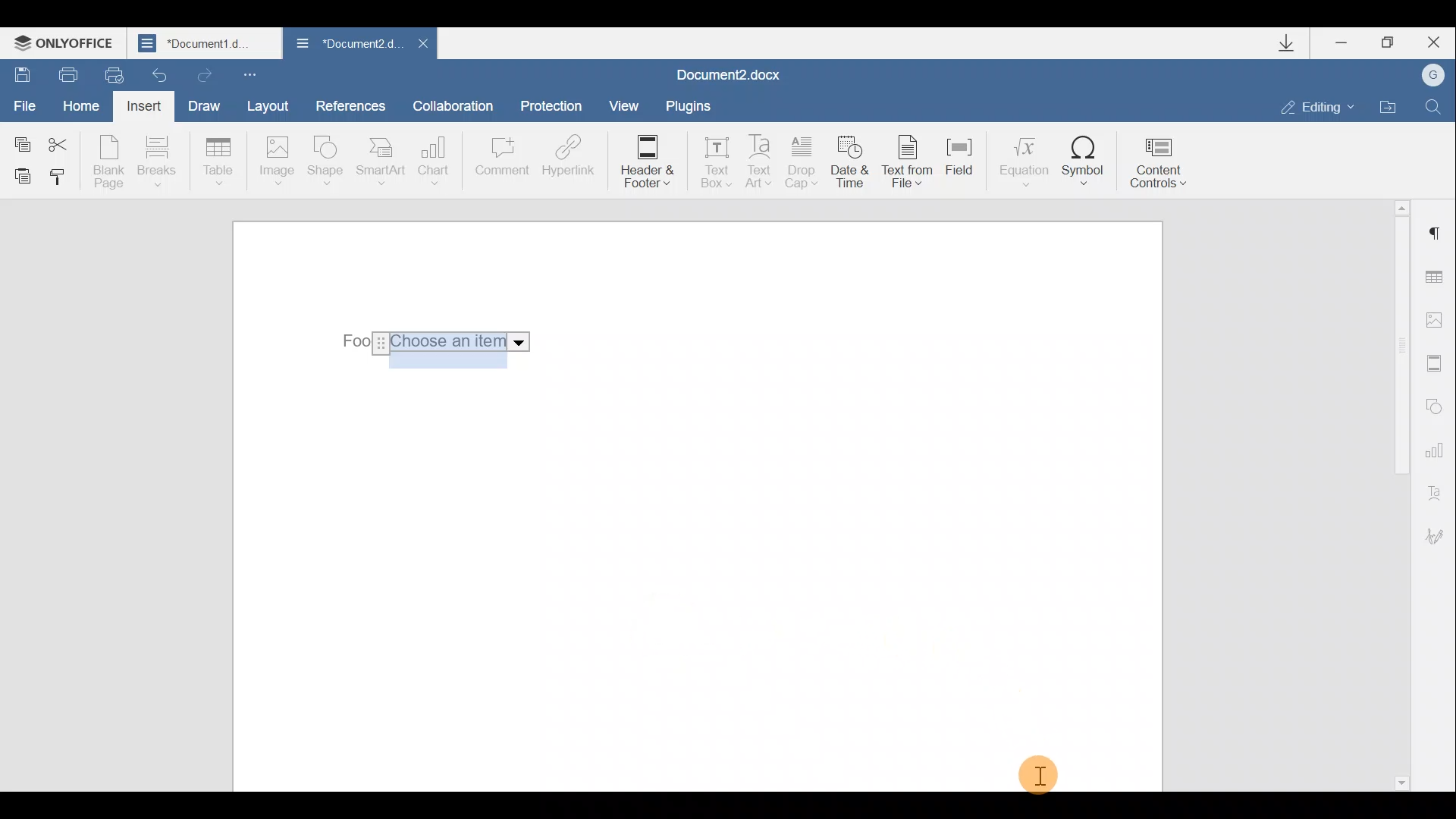  Describe the element at coordinates (852, 165) in the screenshot. I see `Date & time` at that location.